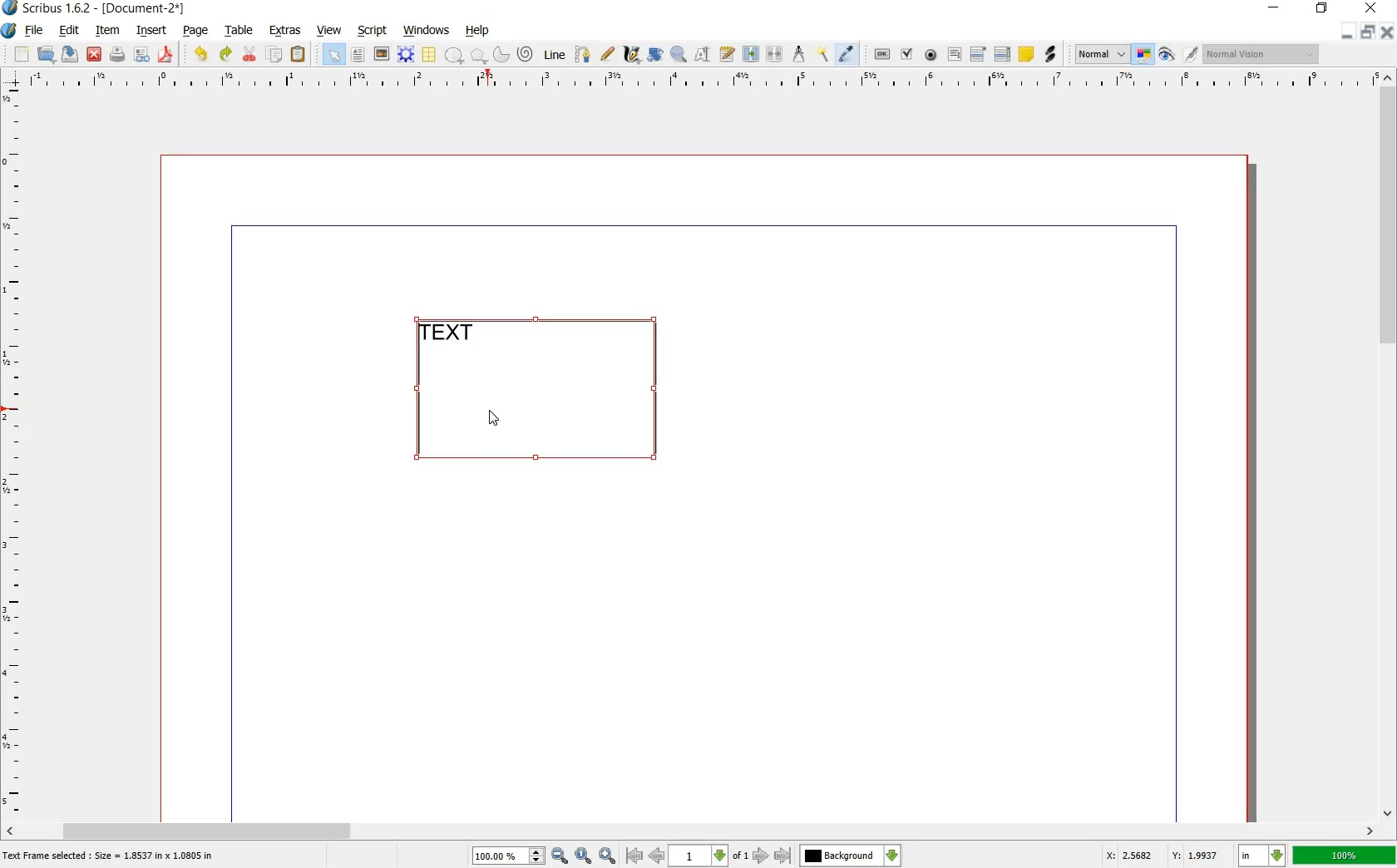  Describe the element at coordinates (333, 54) in the screenshot. I see `select item` at that location.